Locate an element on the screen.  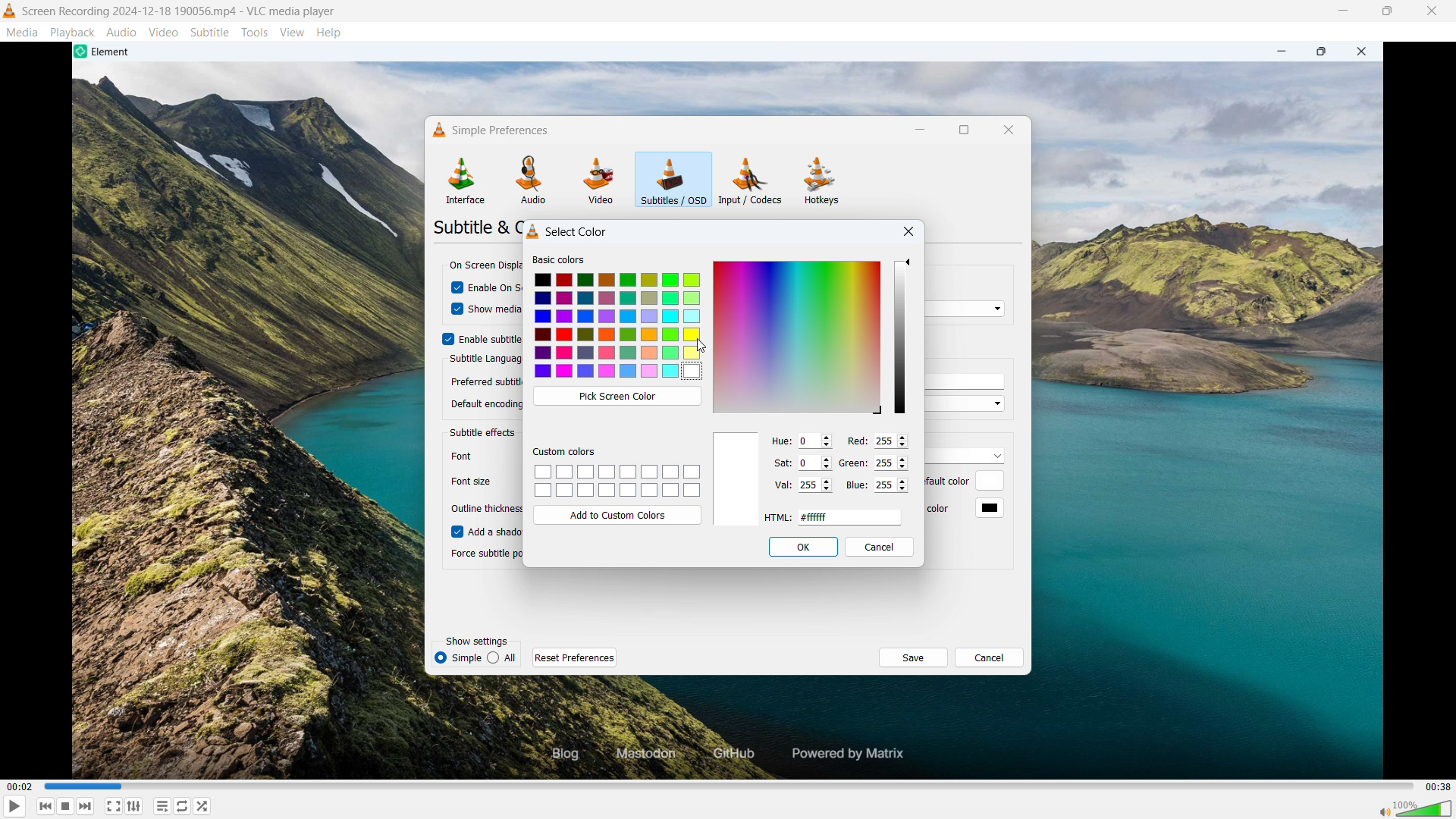
Interface  is located at coordinates (465, 180).